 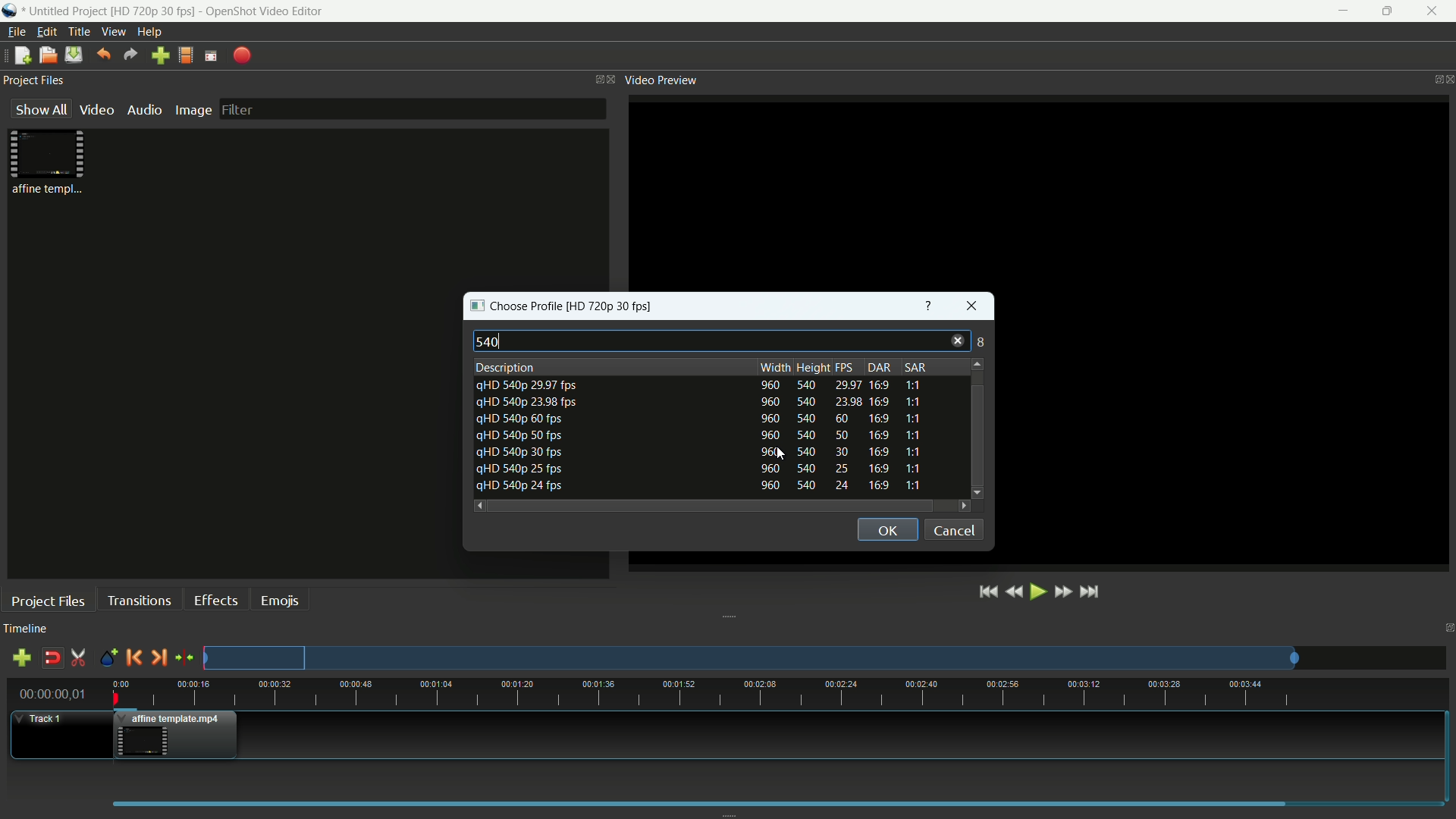 I want to click on track 1, so click(x=42, y=720).